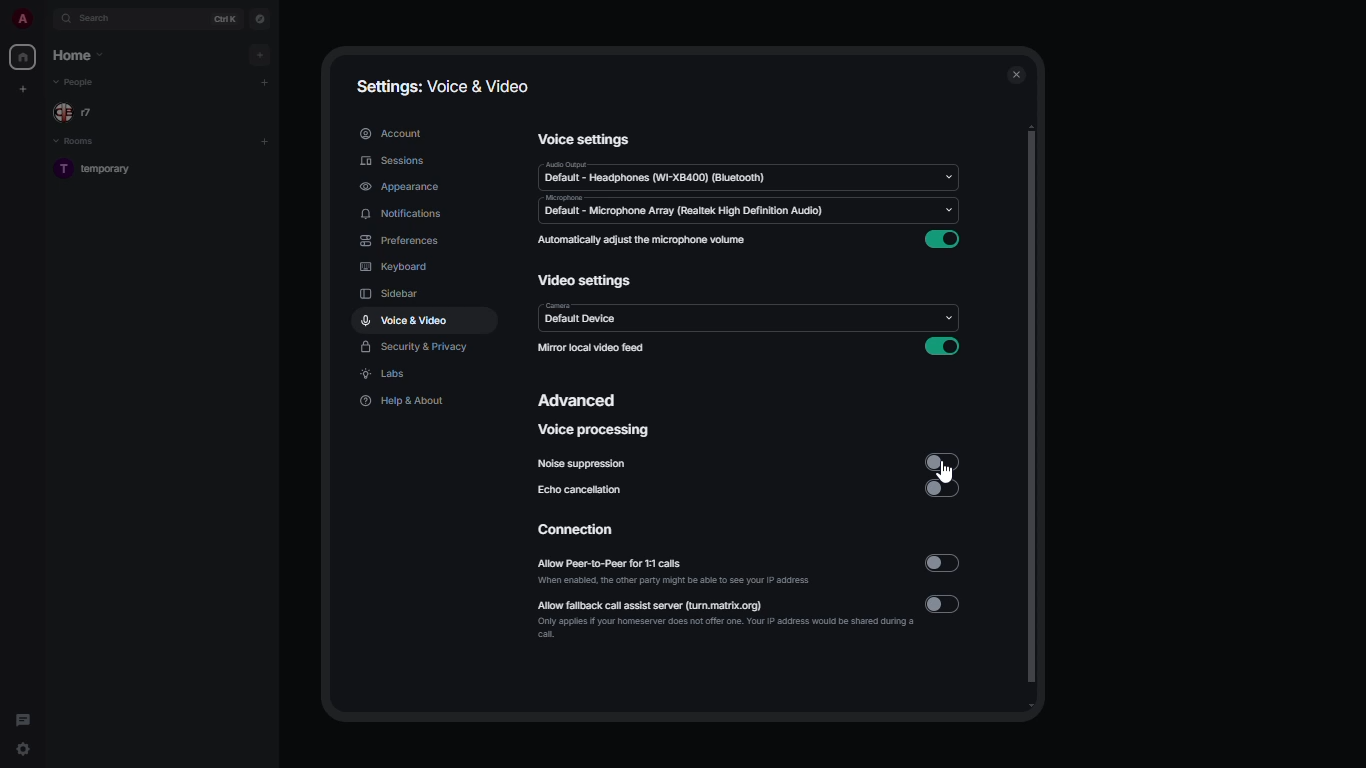 The height and width of the screenshot is (768, 1366). What do you see at coordinates (267, 139) in the screenshot?
I see `add` at bounding box center [267, 139].